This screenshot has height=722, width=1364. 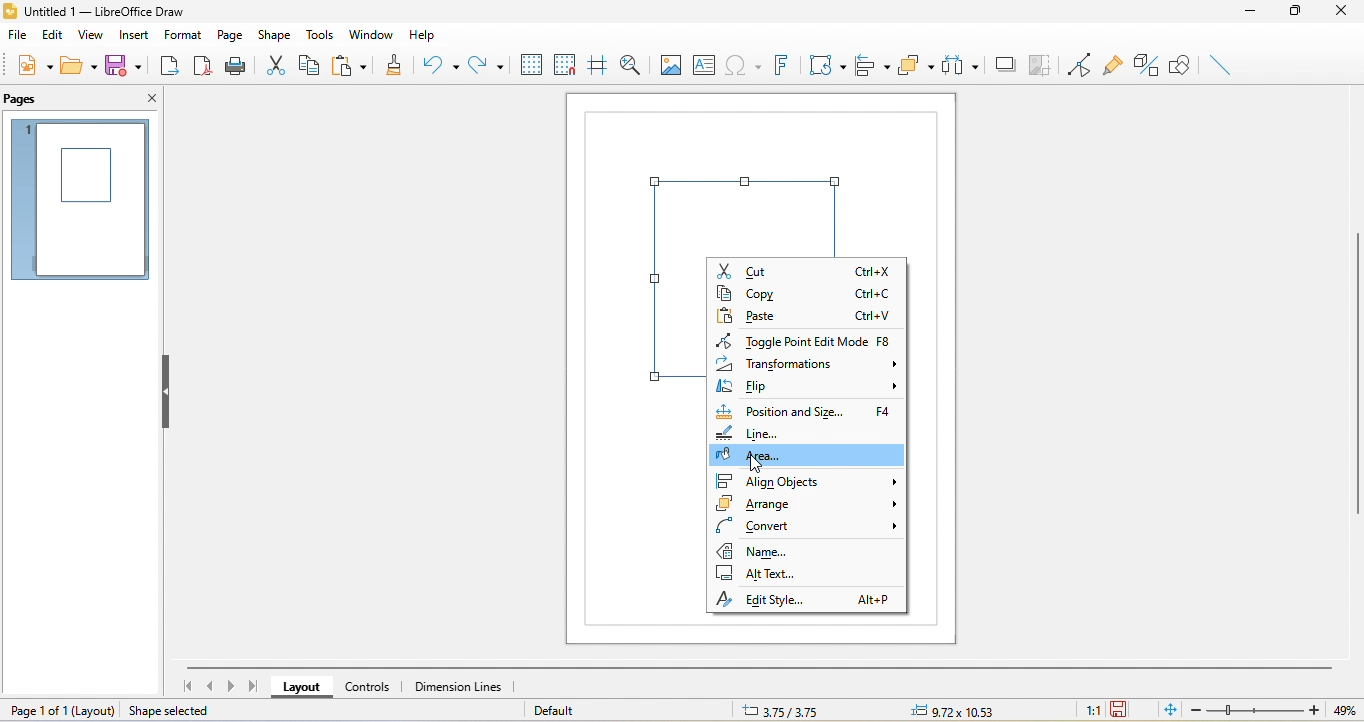 I want to click on copy, so click(x=309, y=64).